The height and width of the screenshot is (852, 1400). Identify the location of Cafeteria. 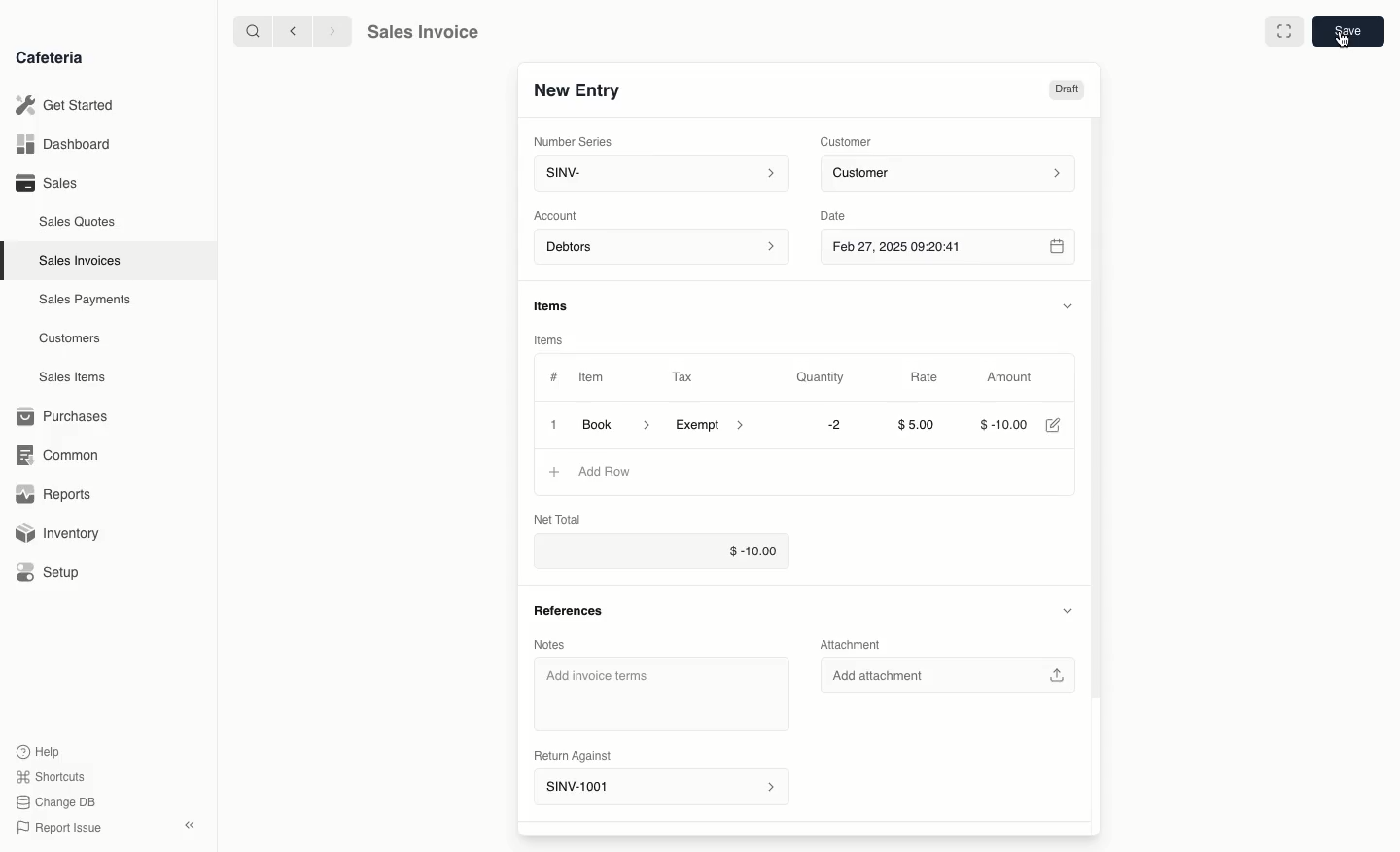
(49, 58).